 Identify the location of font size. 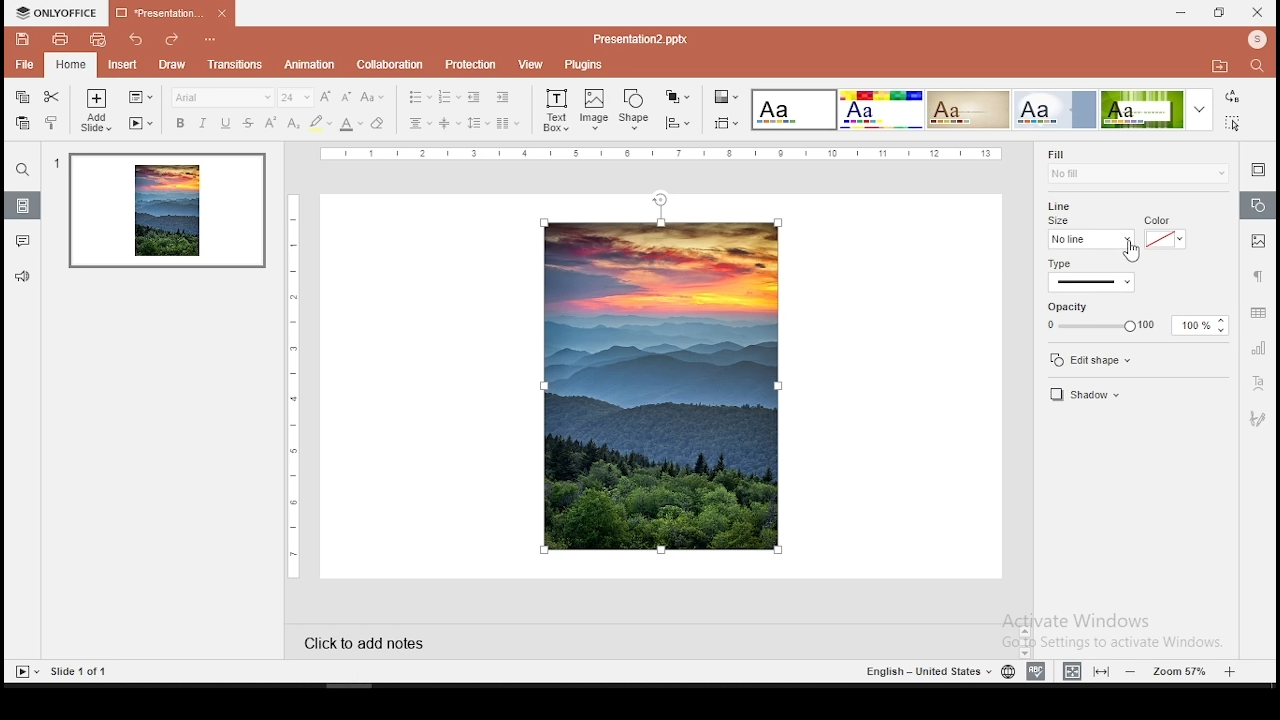
(296, 97).